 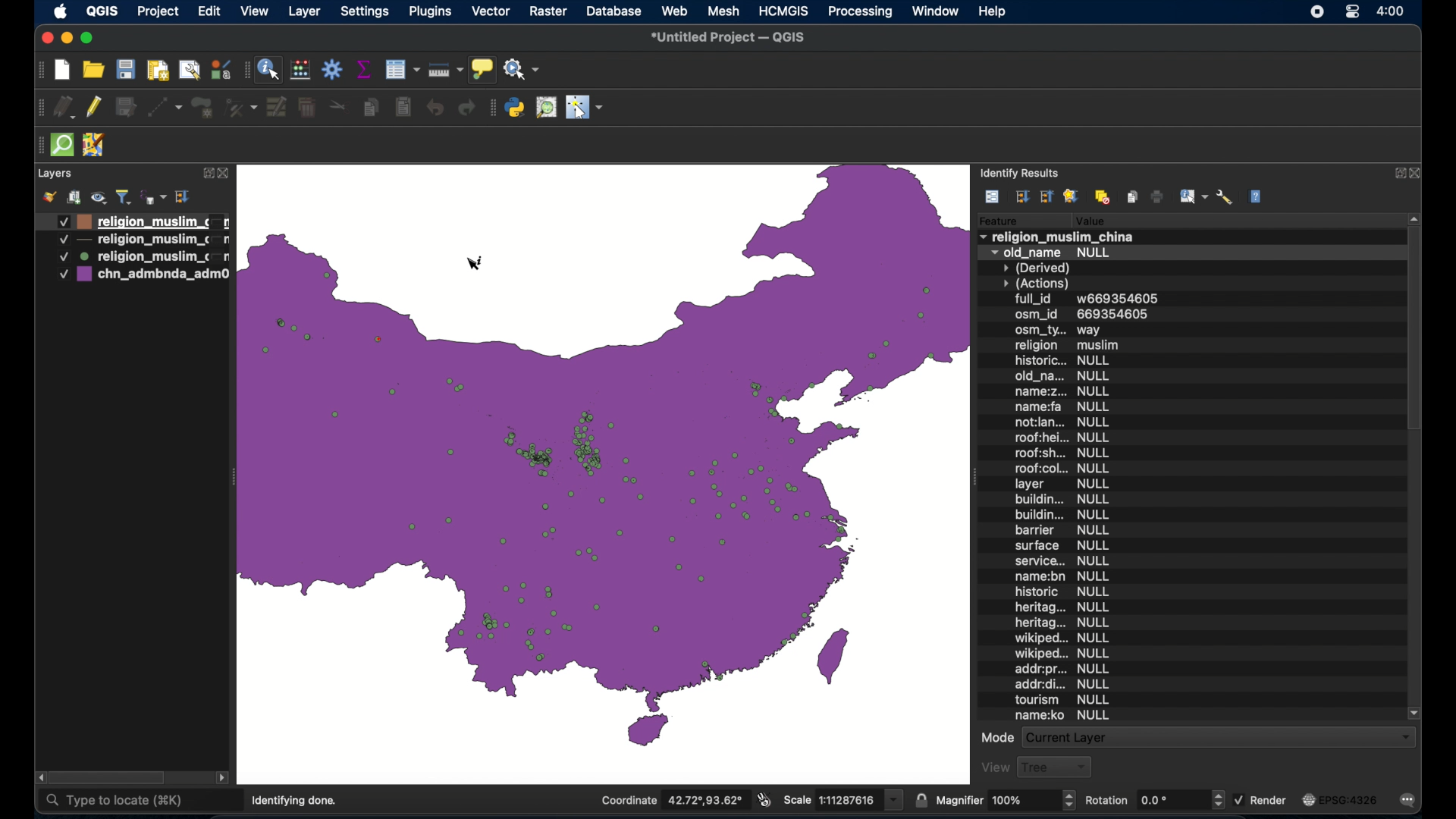 I want to click on identify feature, so click(x=269, y=72).